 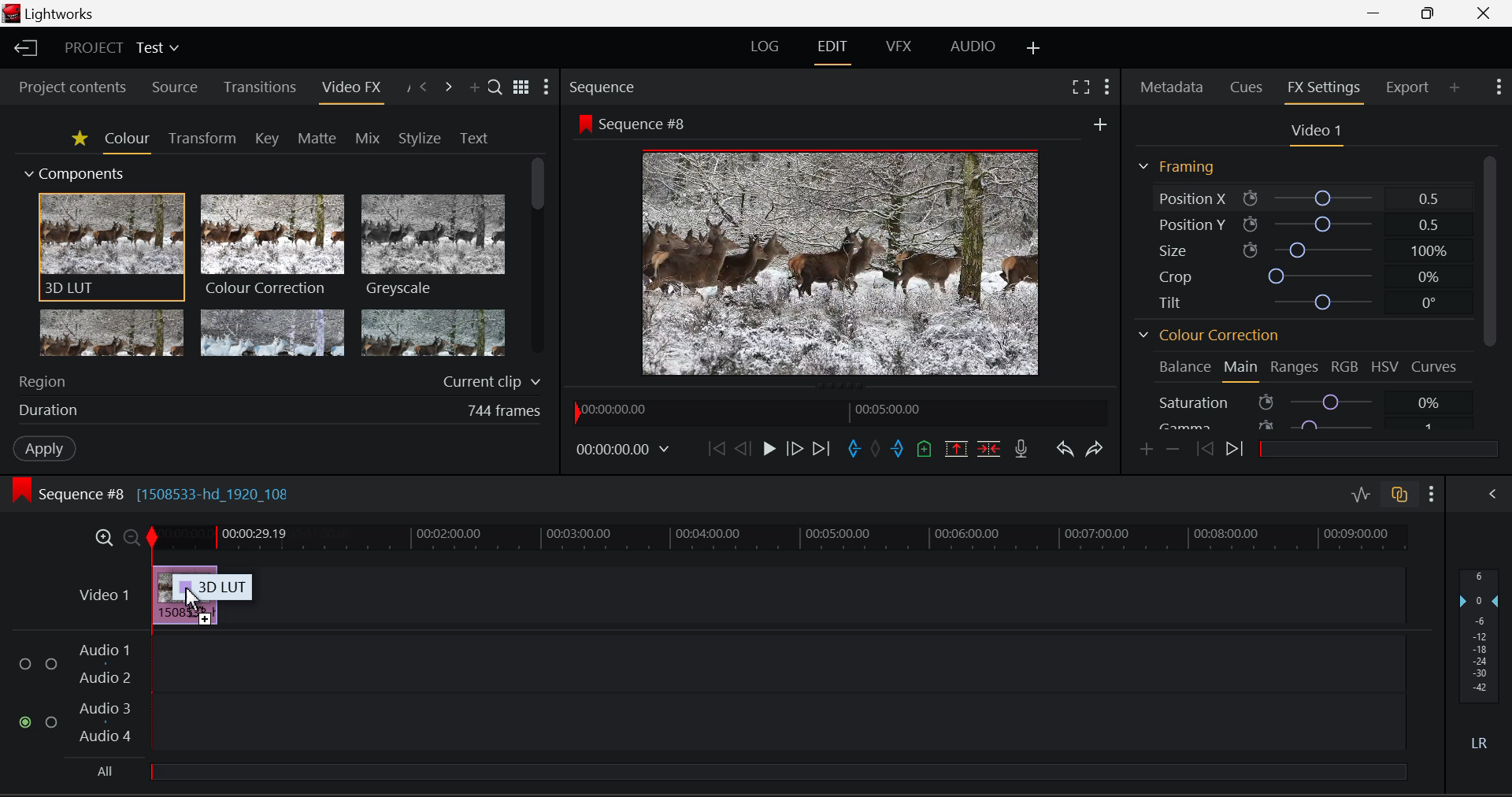 What do you see at coordinates (1376, 13) in the screenshot?
I see `Restore Down` at bounding box center [1376, 13].